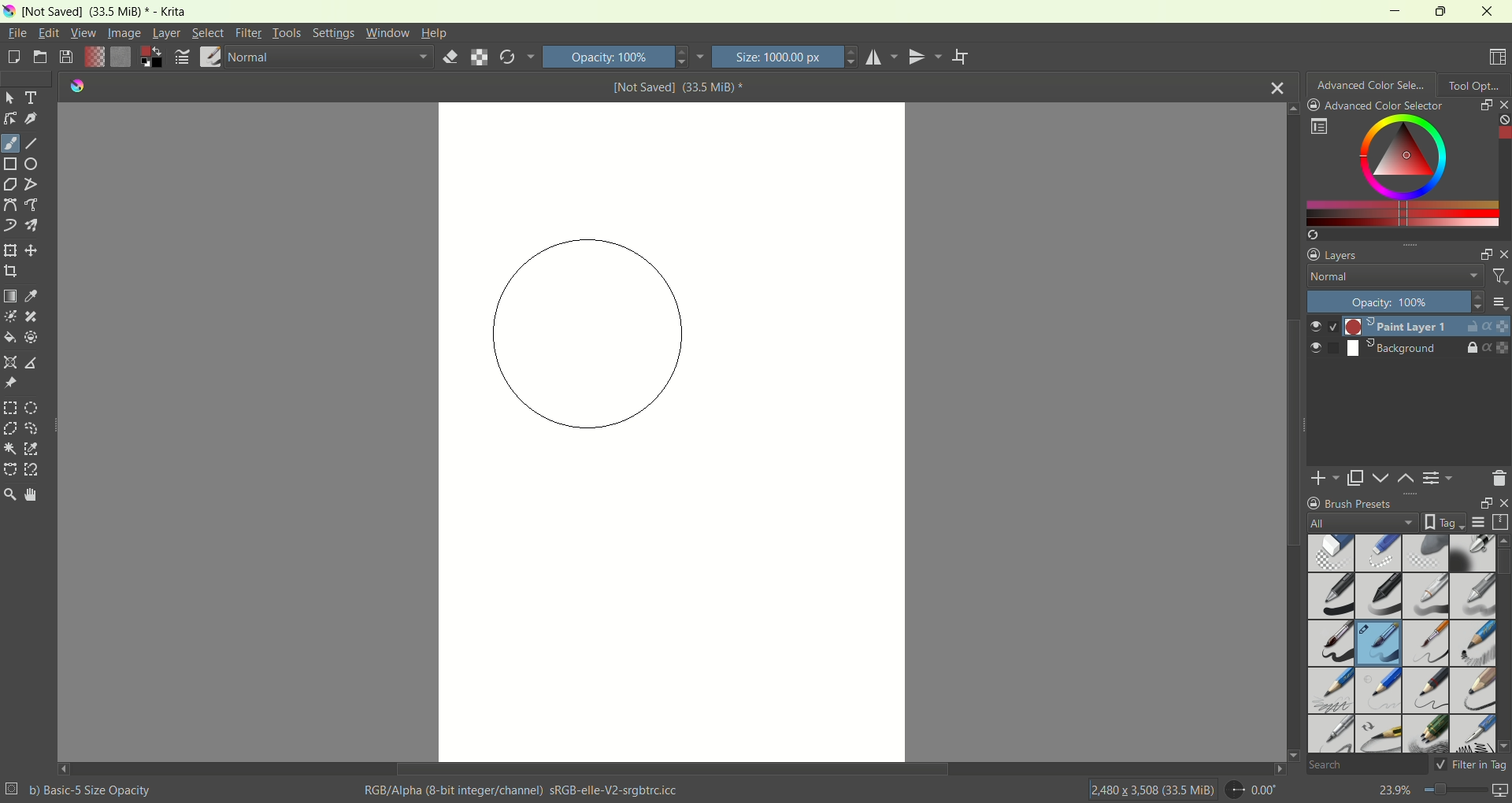 The image size is (1512, 803). What do you see at coordinates (1472, 688) in the screenshot?
I see `pencil 3 large 4 b` at bounding box center [1472, 688].